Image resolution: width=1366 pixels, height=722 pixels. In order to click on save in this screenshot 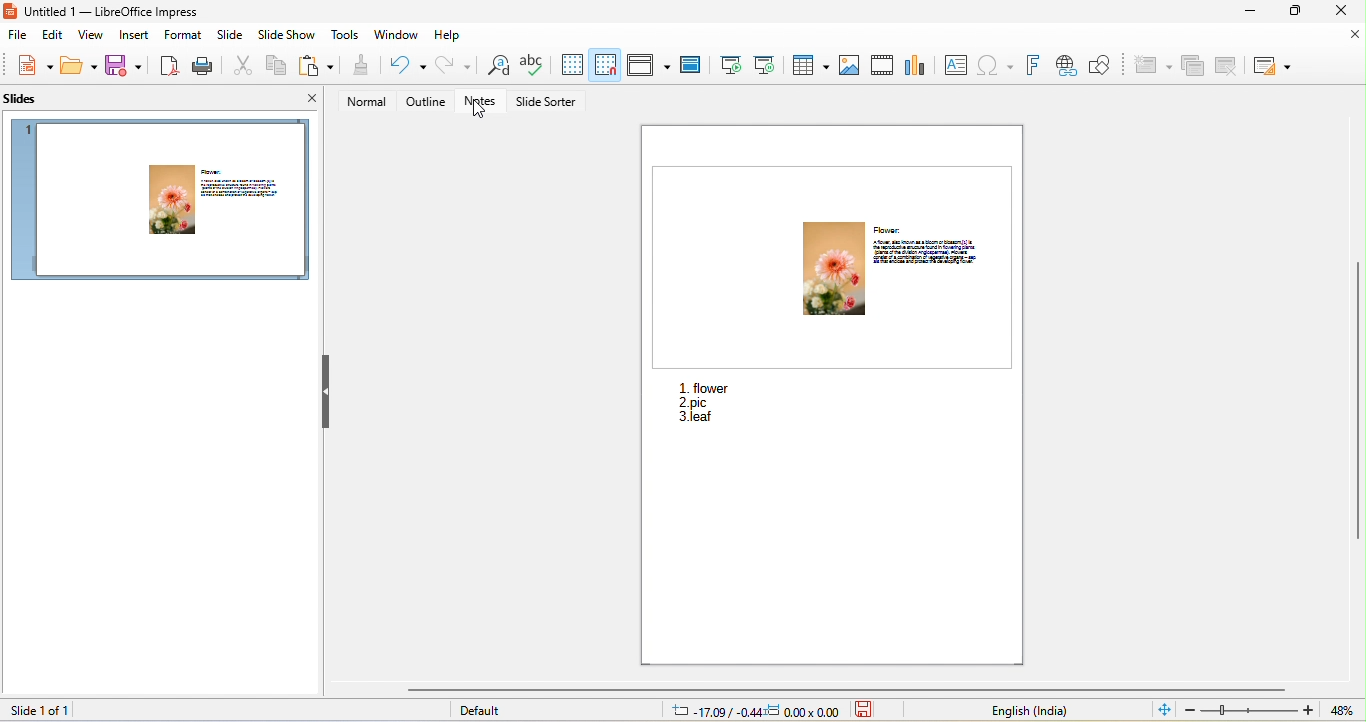, I will do `click(128, 65)`.